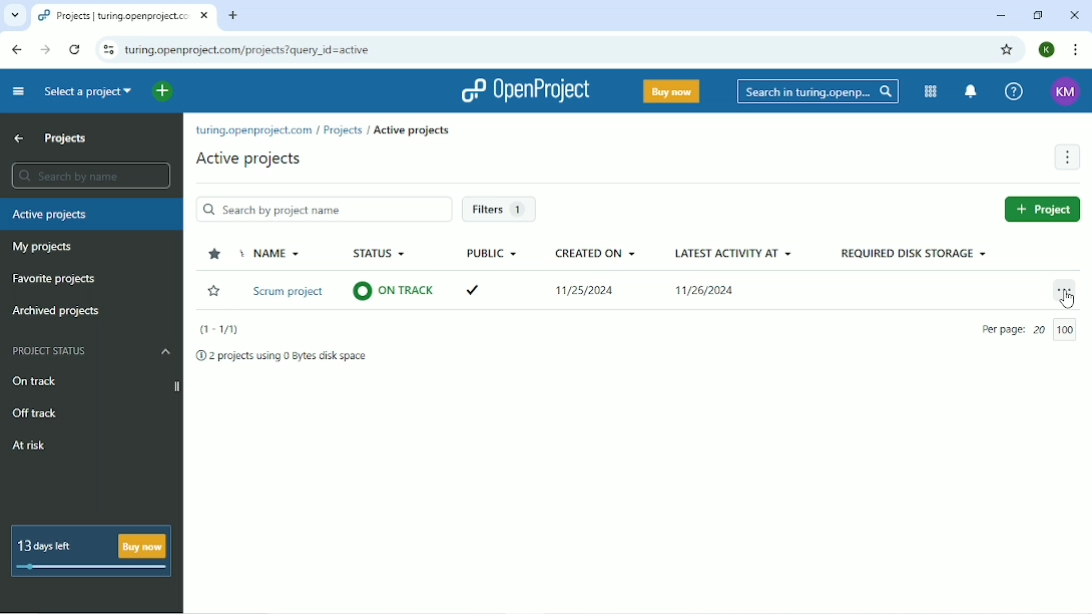 This screenshot has height=614, width=1092. I want to click on Scrum project, so click(289, 293).